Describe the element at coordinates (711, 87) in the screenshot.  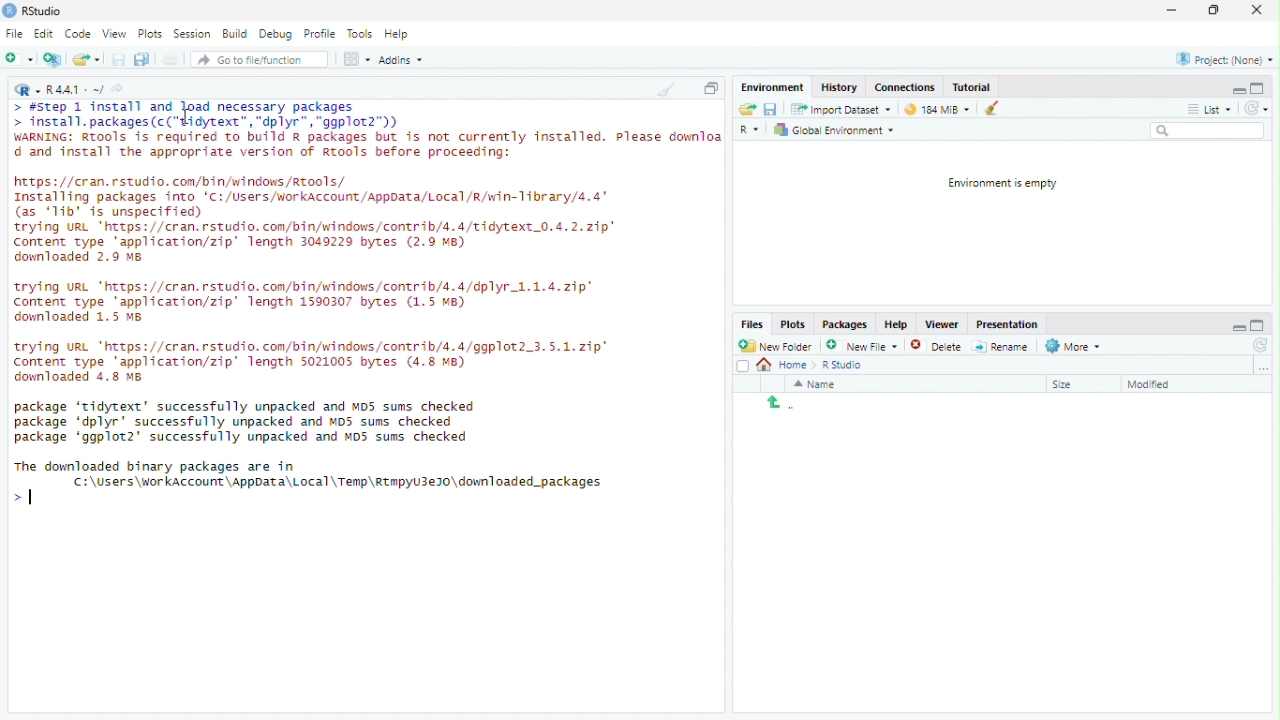
I see `Copy` at that location.